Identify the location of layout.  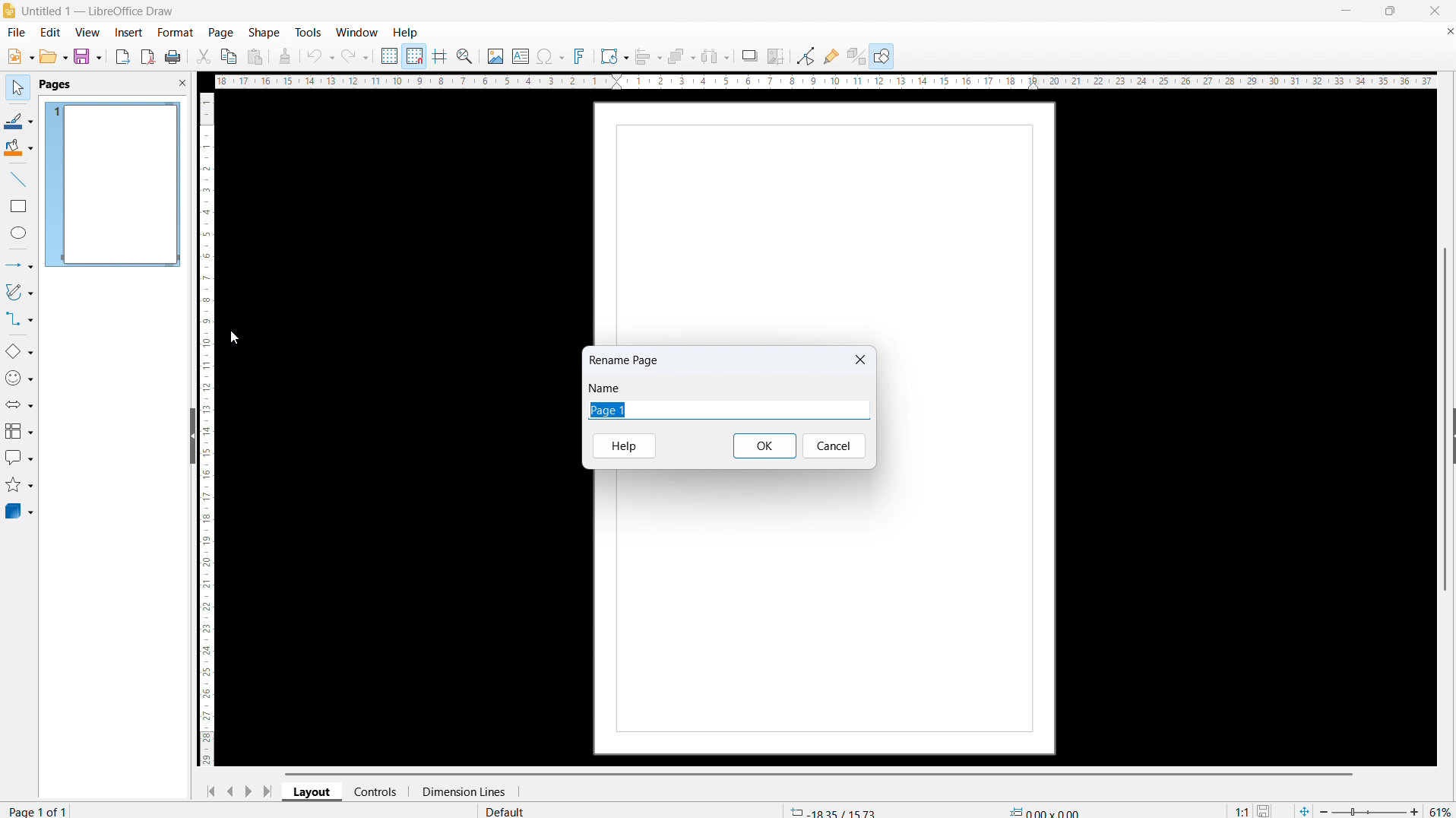
(312, 792).